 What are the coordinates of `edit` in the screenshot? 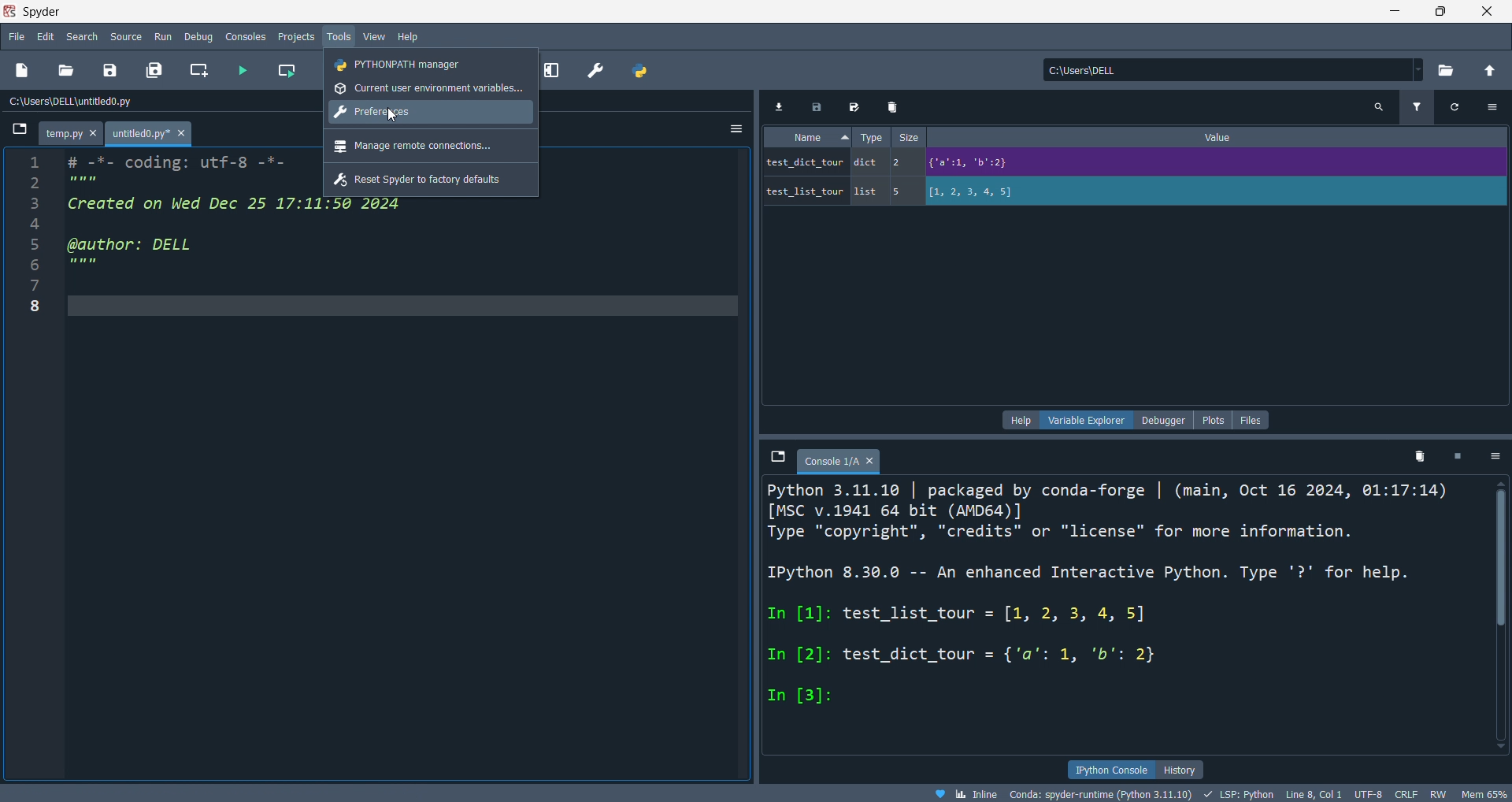 It's located at (44, 35).